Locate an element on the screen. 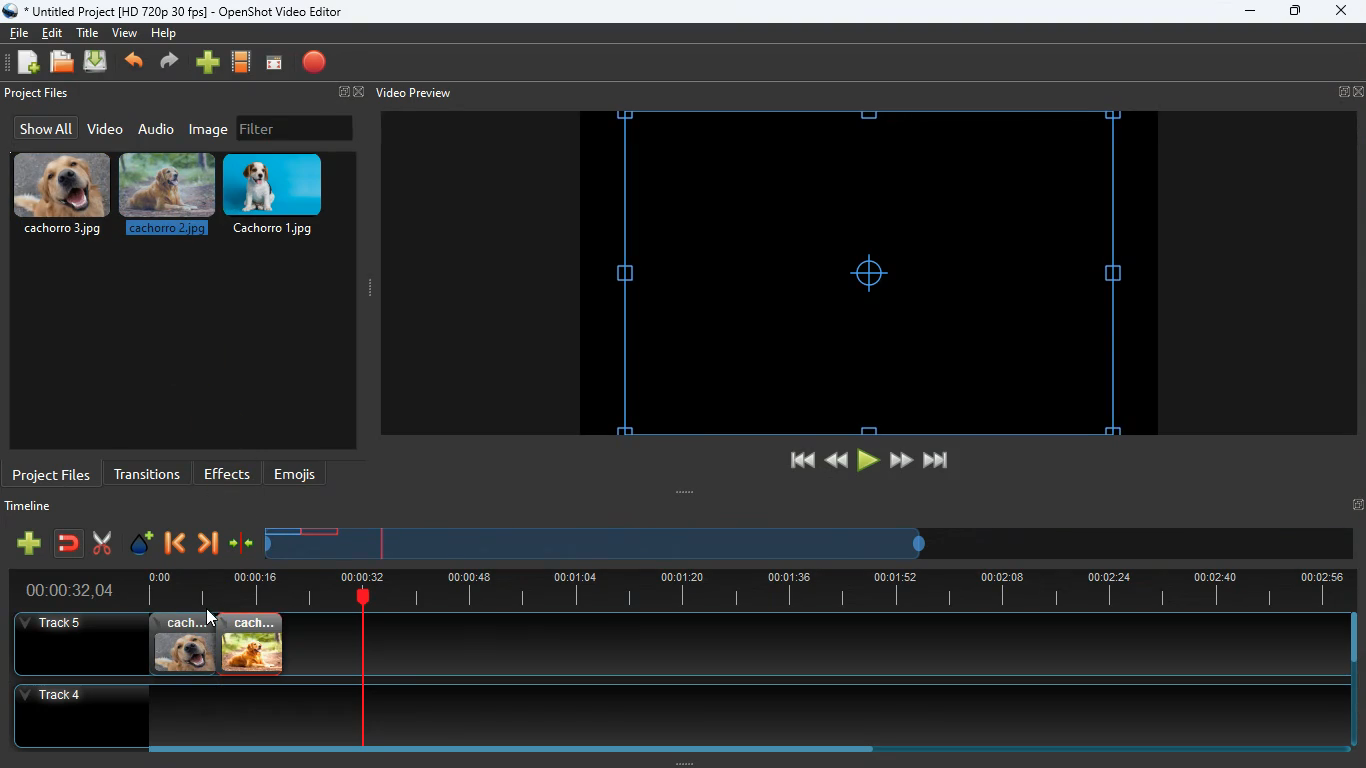 The height and width of the screenshot is (768, 1366). cachorro.3.jpg is located at coordinates (183, 644).